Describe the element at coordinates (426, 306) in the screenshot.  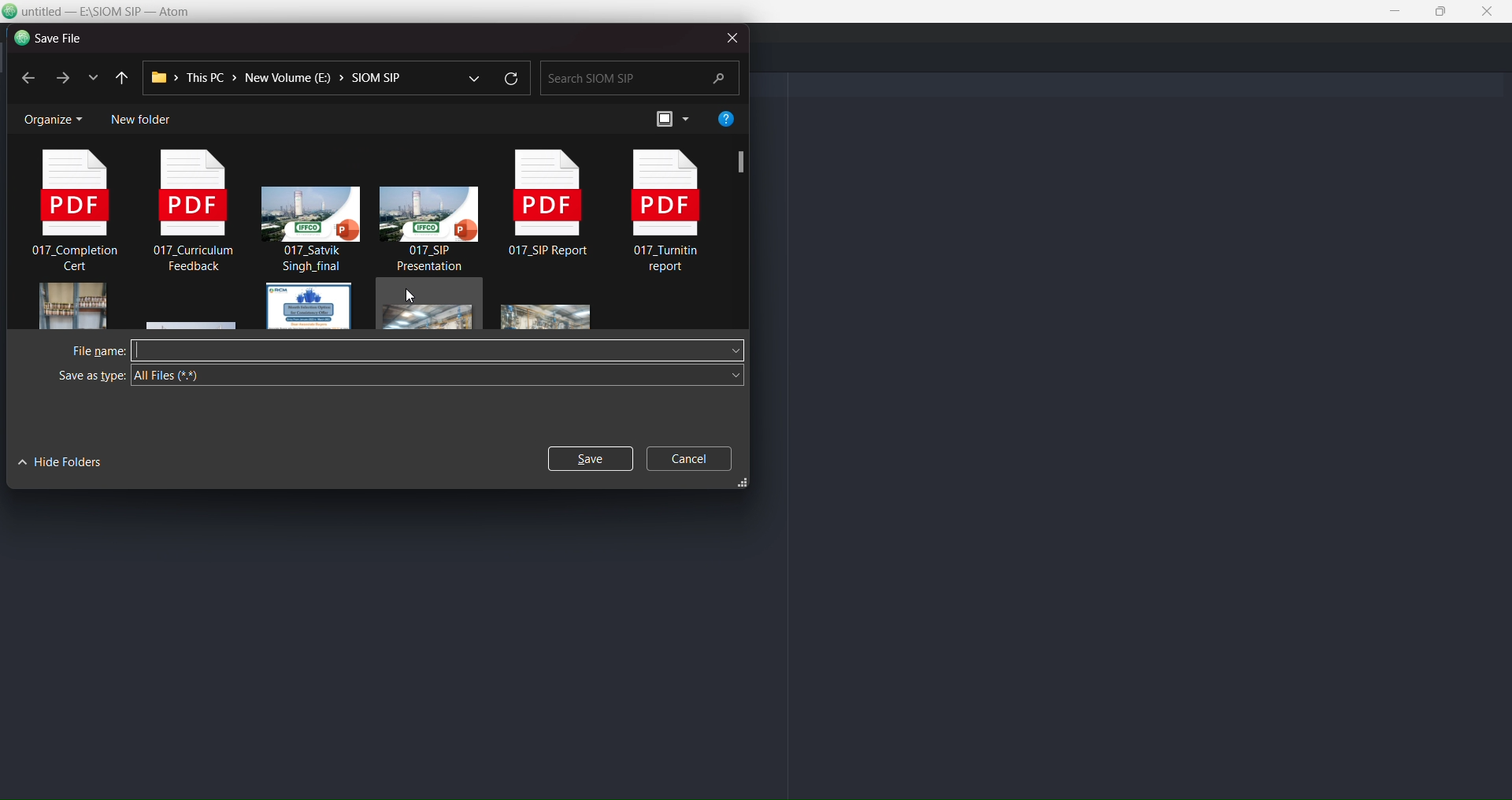
I see `file` at that location.